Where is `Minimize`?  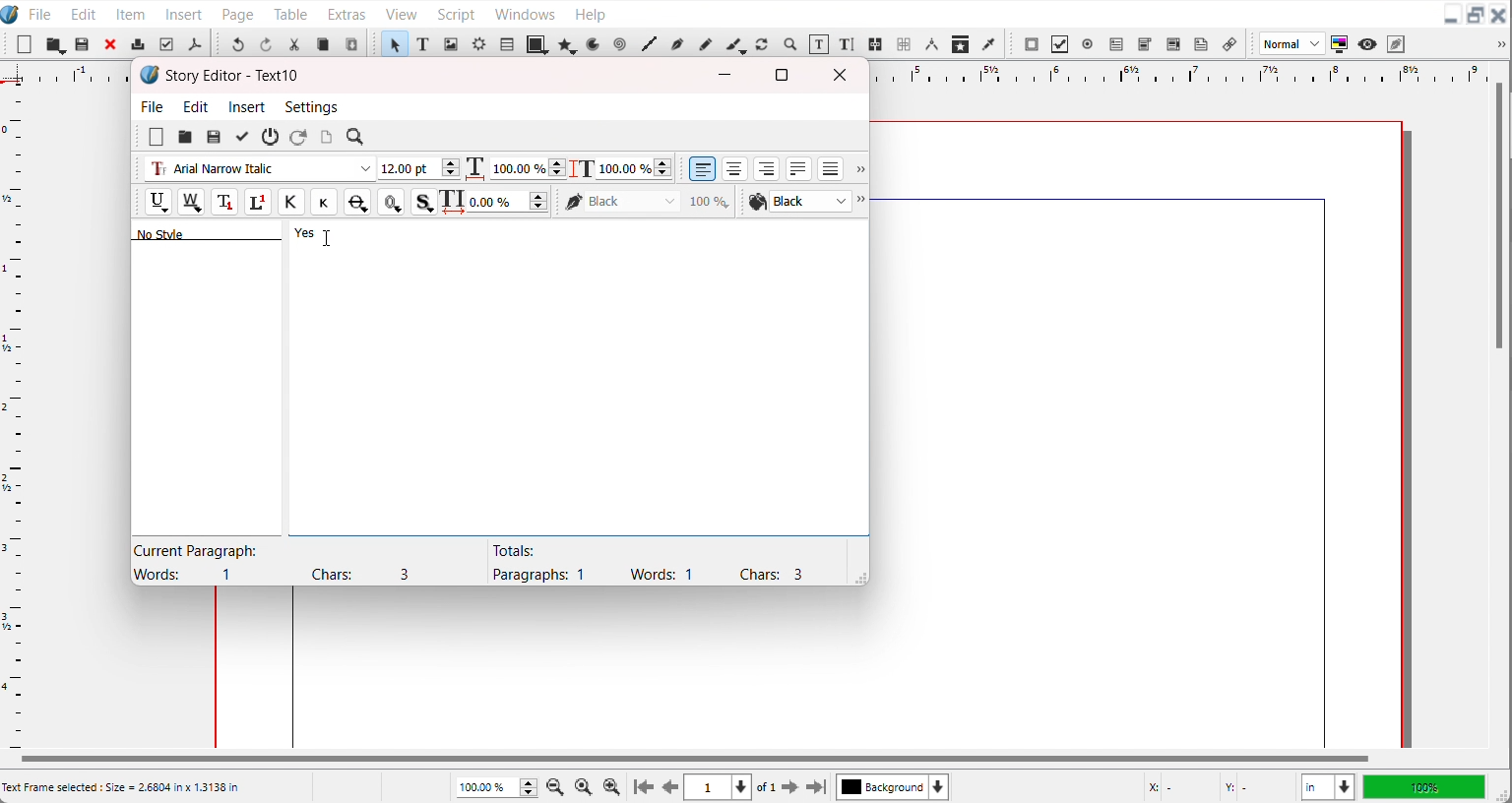 Minimize is located at coordinates (1451, 16).